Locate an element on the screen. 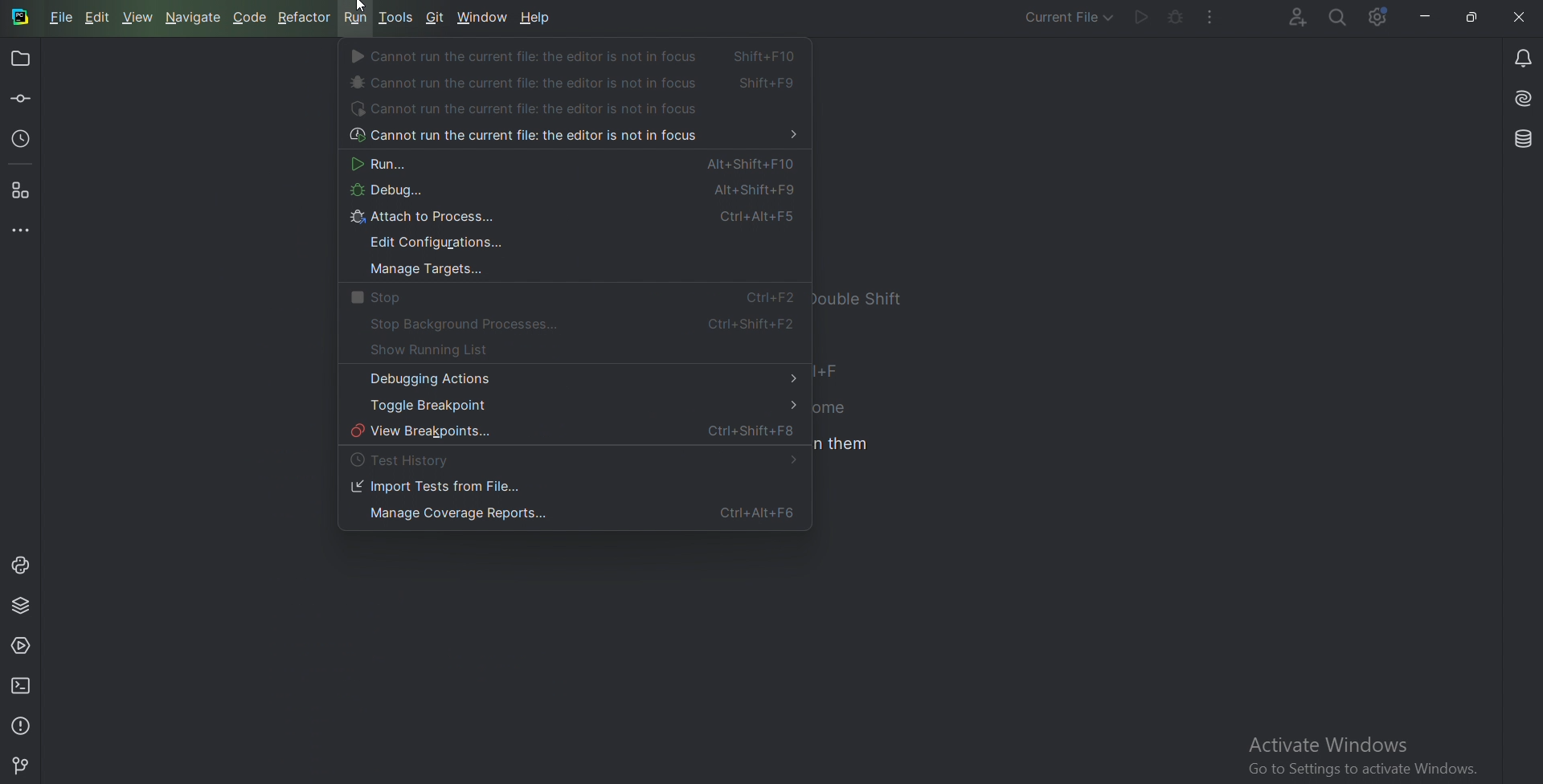 The height and width of the screenshot is (784, 1543). Stop is located at coordinates (567, 299).